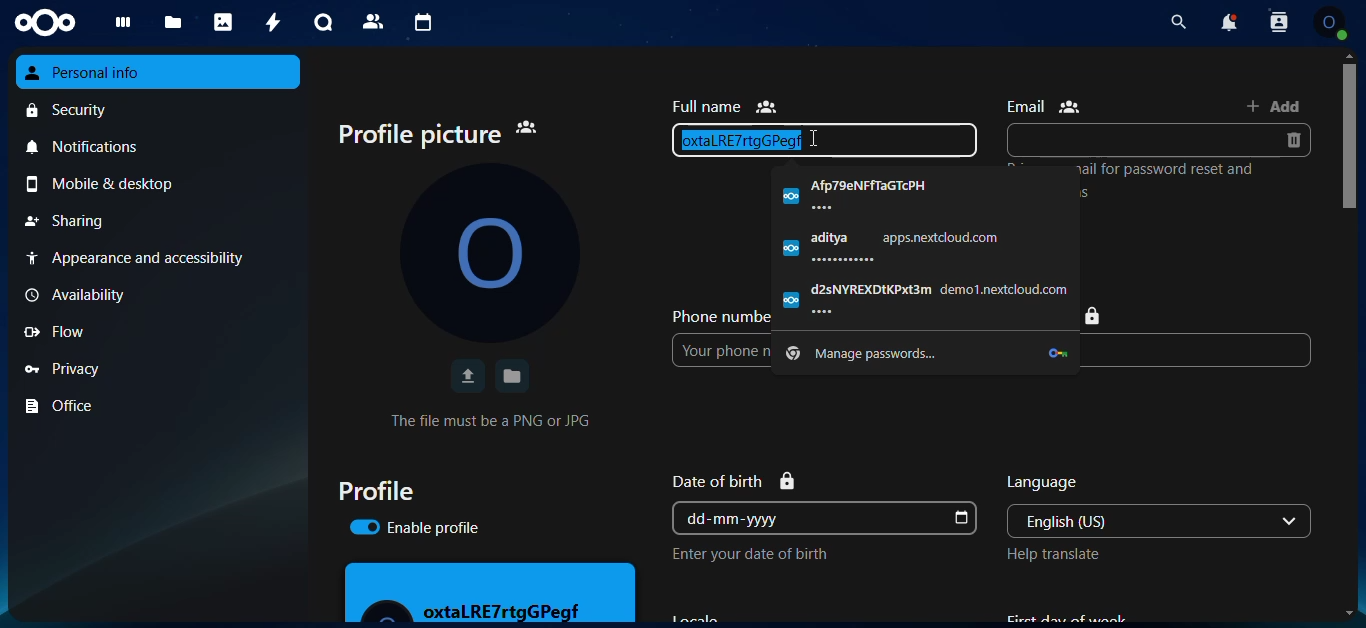 This screenshot has height=628, width=1366. Describe the element at coordinates (414, 527) in the screenshot. I see `enable profile` at that location.